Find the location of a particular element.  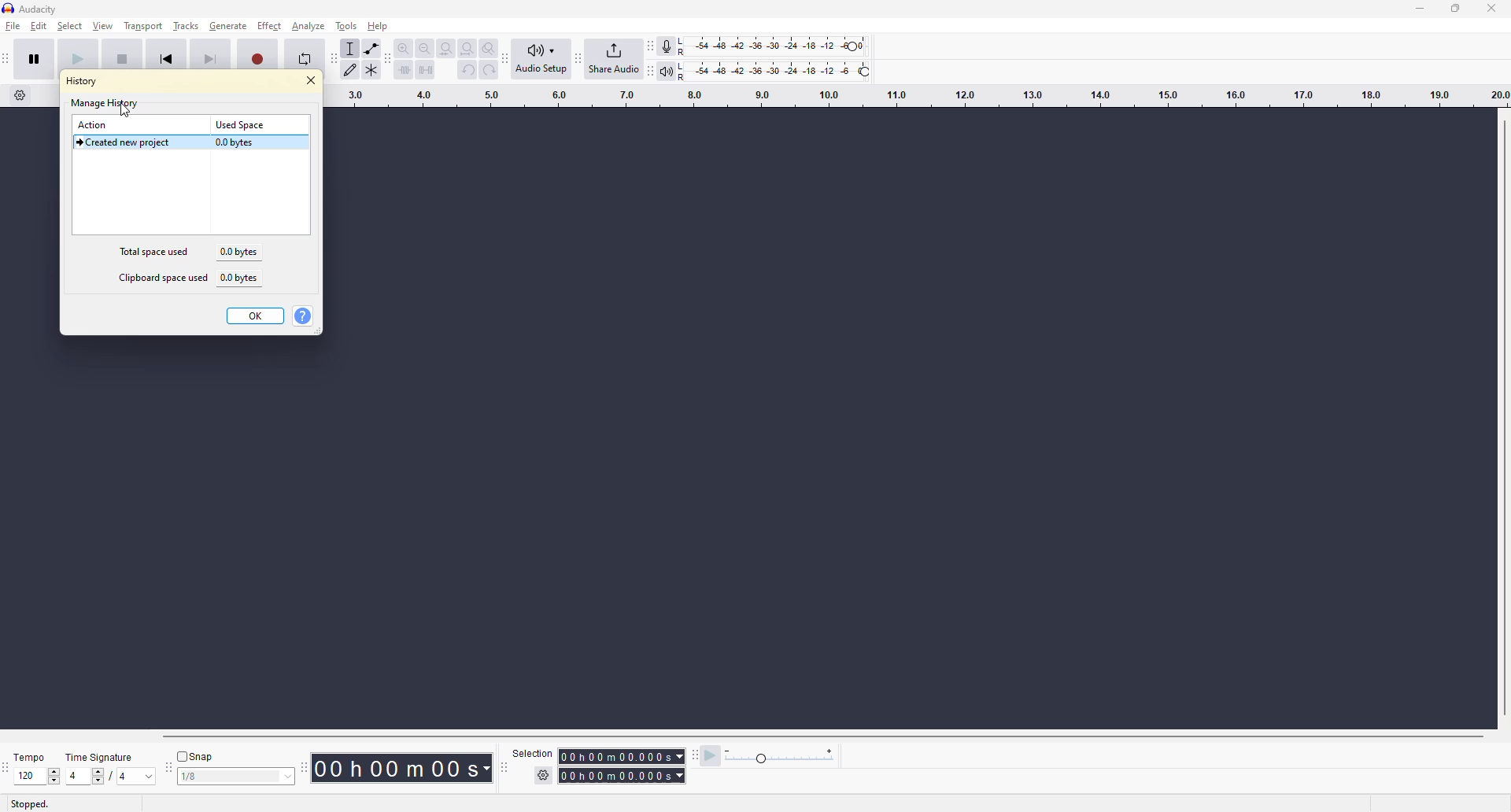

recording level is located at coordinates (791, 45).